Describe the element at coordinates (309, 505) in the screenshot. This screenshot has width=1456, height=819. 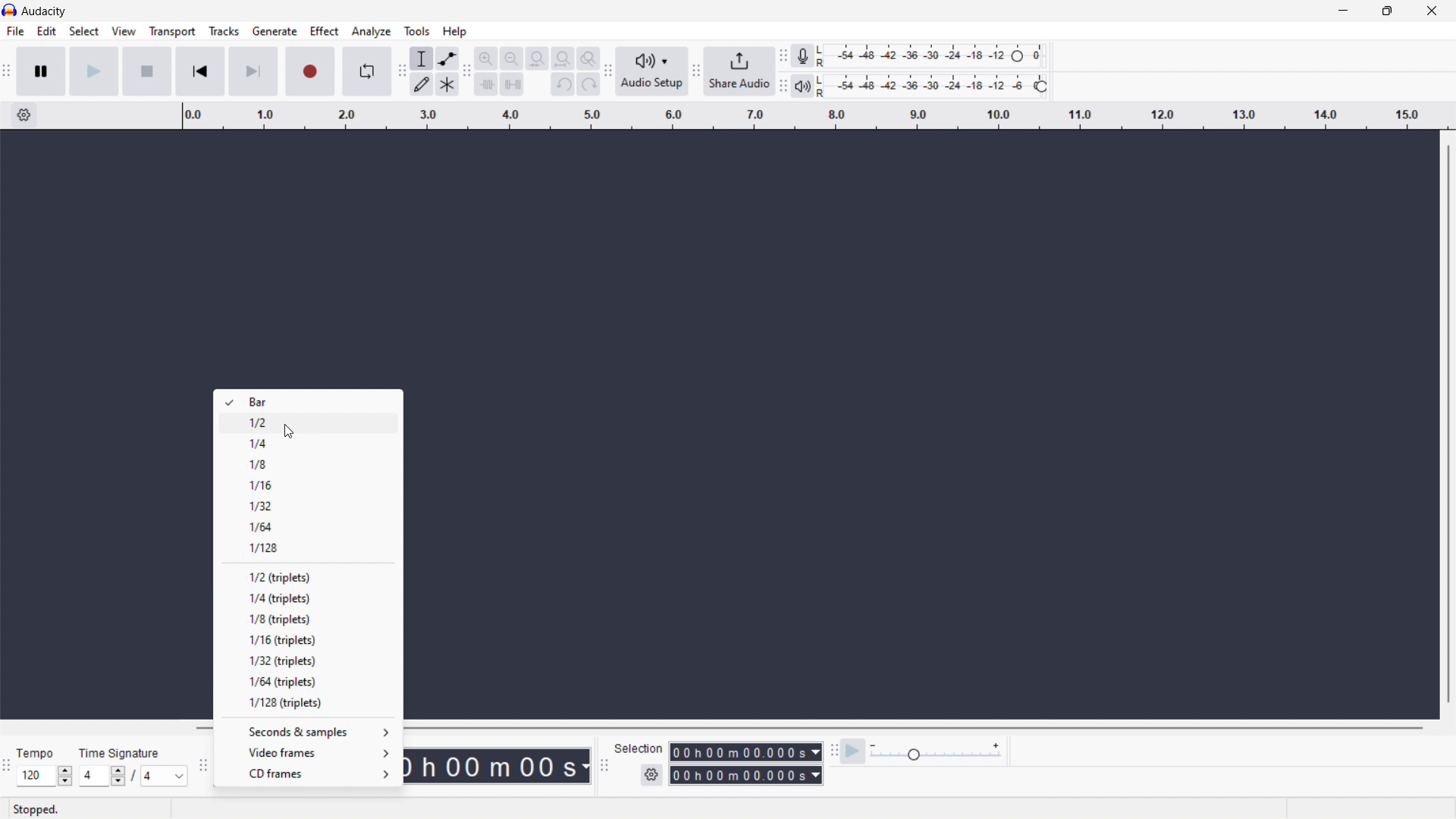
I see `1/32` at that location.